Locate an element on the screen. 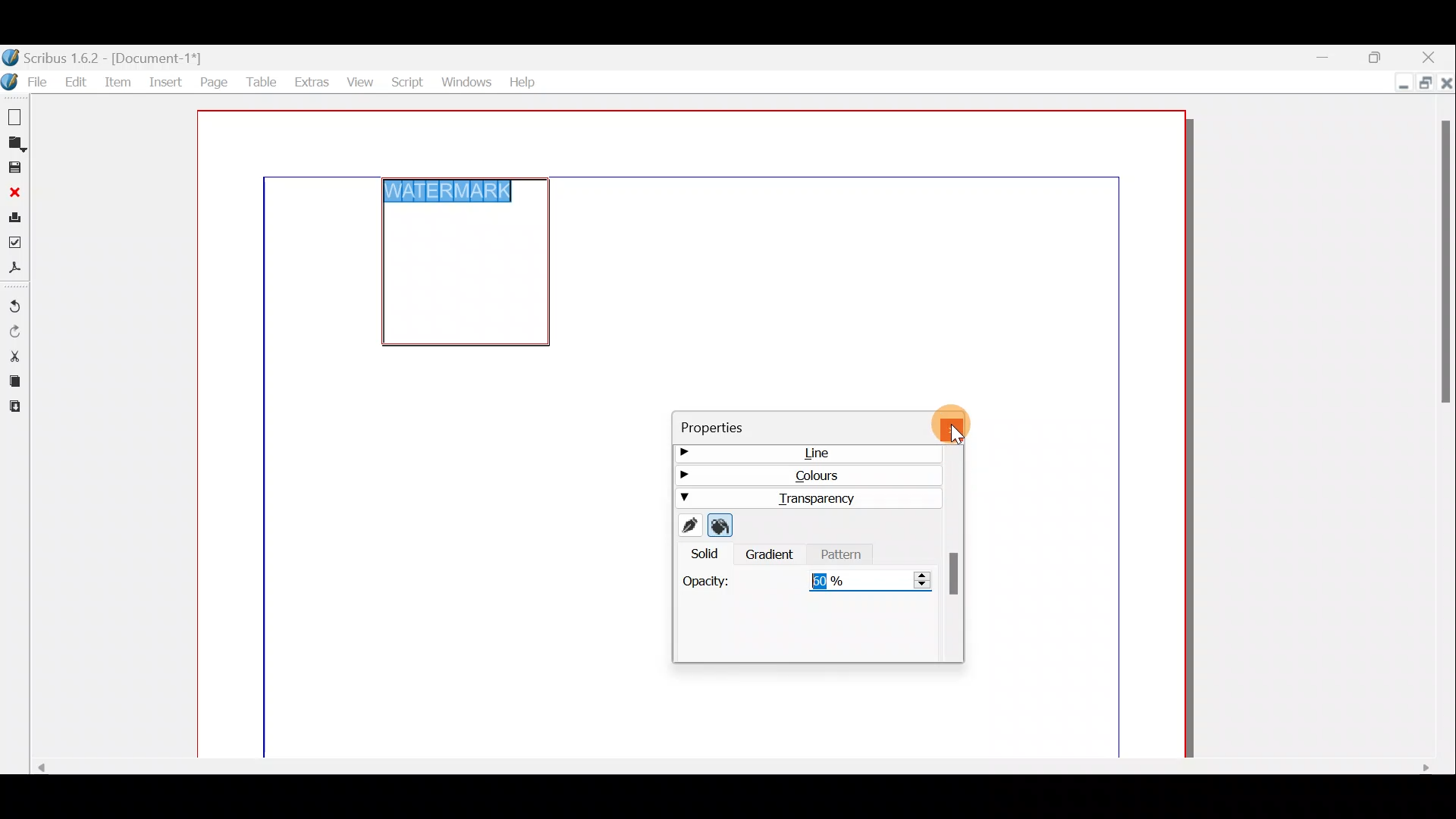 This screenshot has height=819, width=1456. Help is located at coordinates (522, 80).